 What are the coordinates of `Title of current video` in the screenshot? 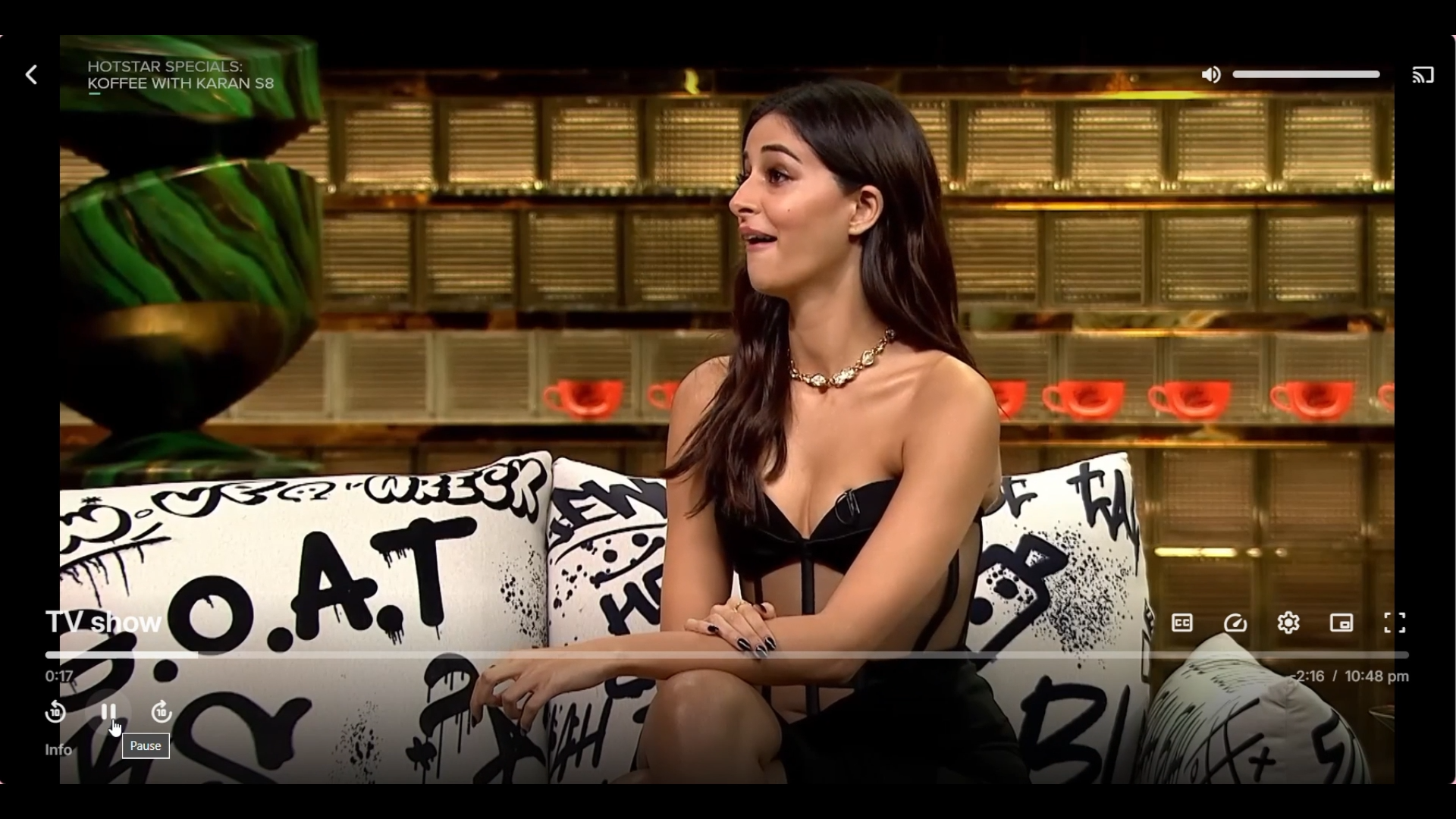 It's located at (103, 620).